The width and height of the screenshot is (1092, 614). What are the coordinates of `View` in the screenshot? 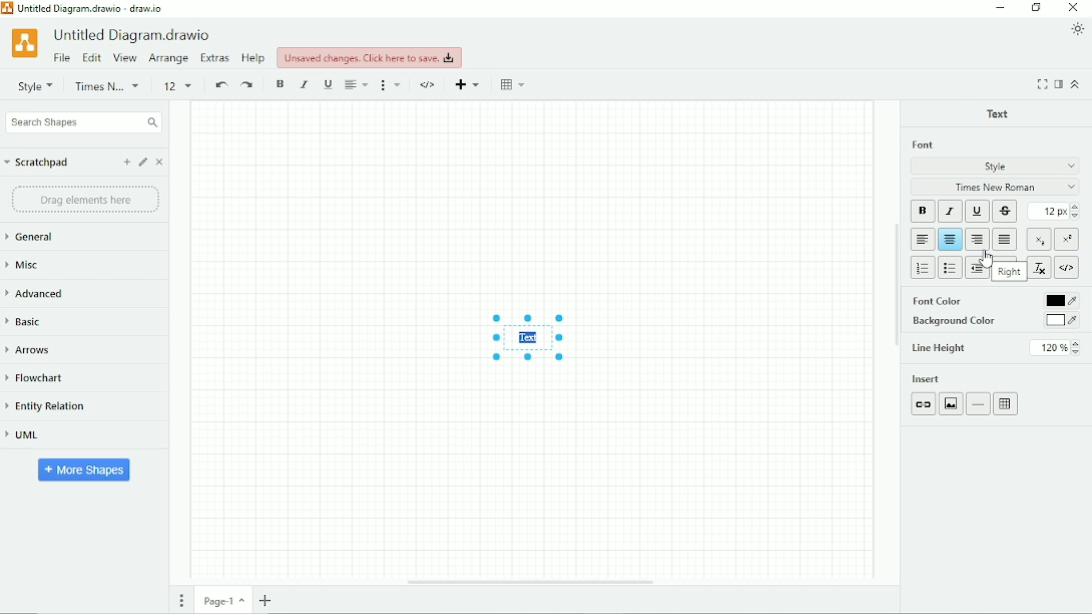 It's located at (126, 57).